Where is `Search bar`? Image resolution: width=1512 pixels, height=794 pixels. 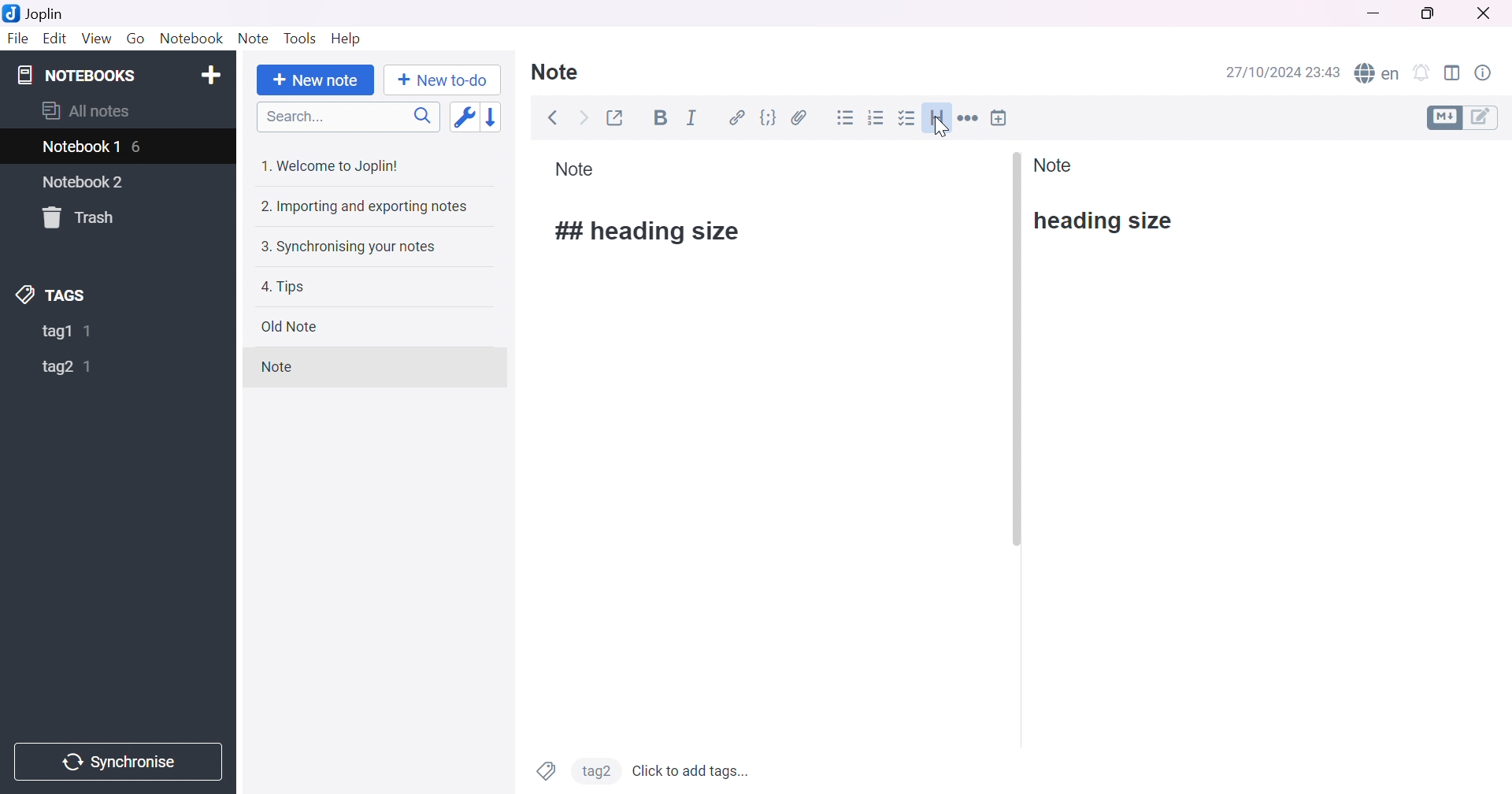 Search bar is located at coordinates (348, 117).